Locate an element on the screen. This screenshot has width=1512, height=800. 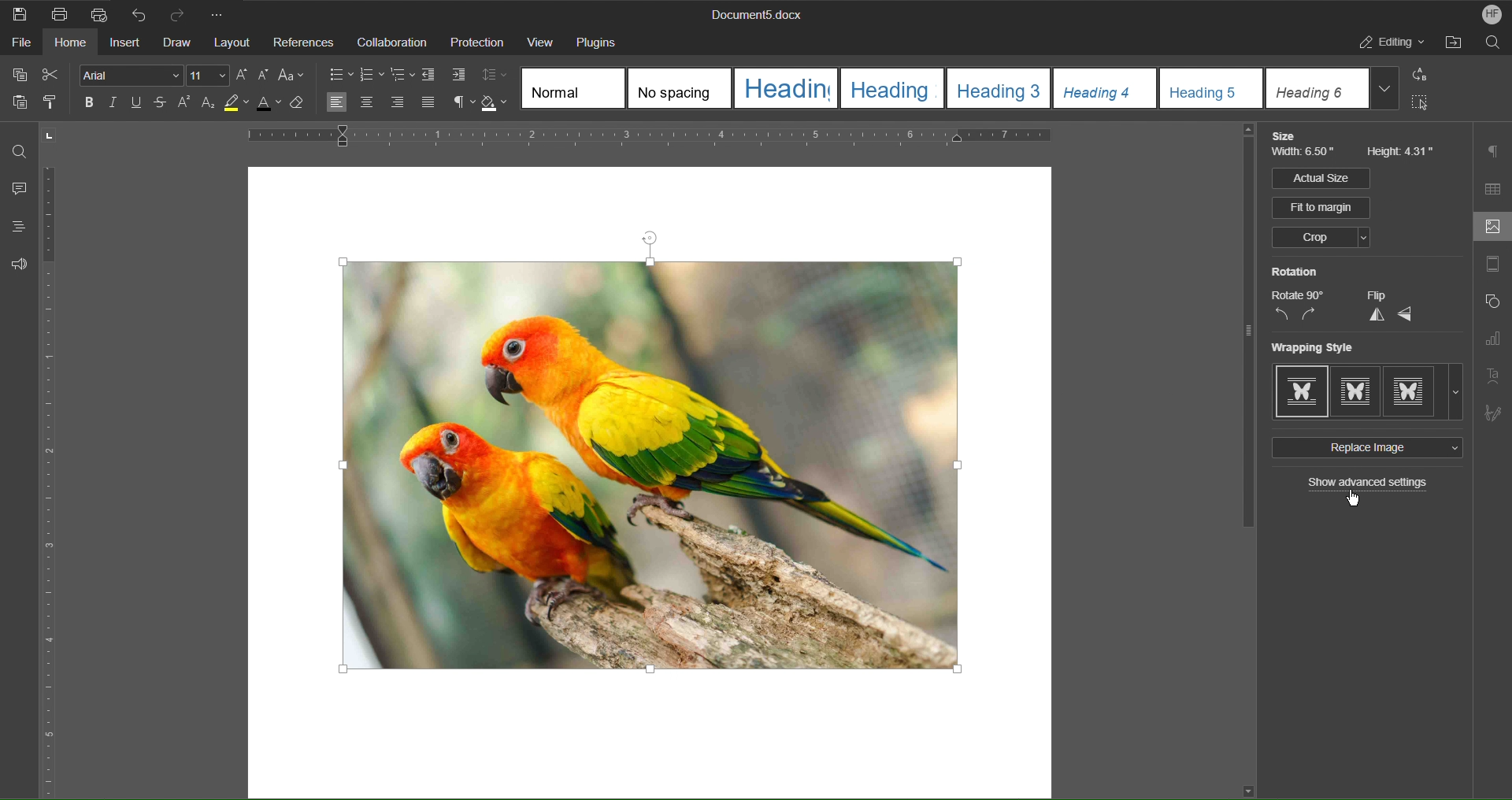
Comment is located at coordinates (16, 190).